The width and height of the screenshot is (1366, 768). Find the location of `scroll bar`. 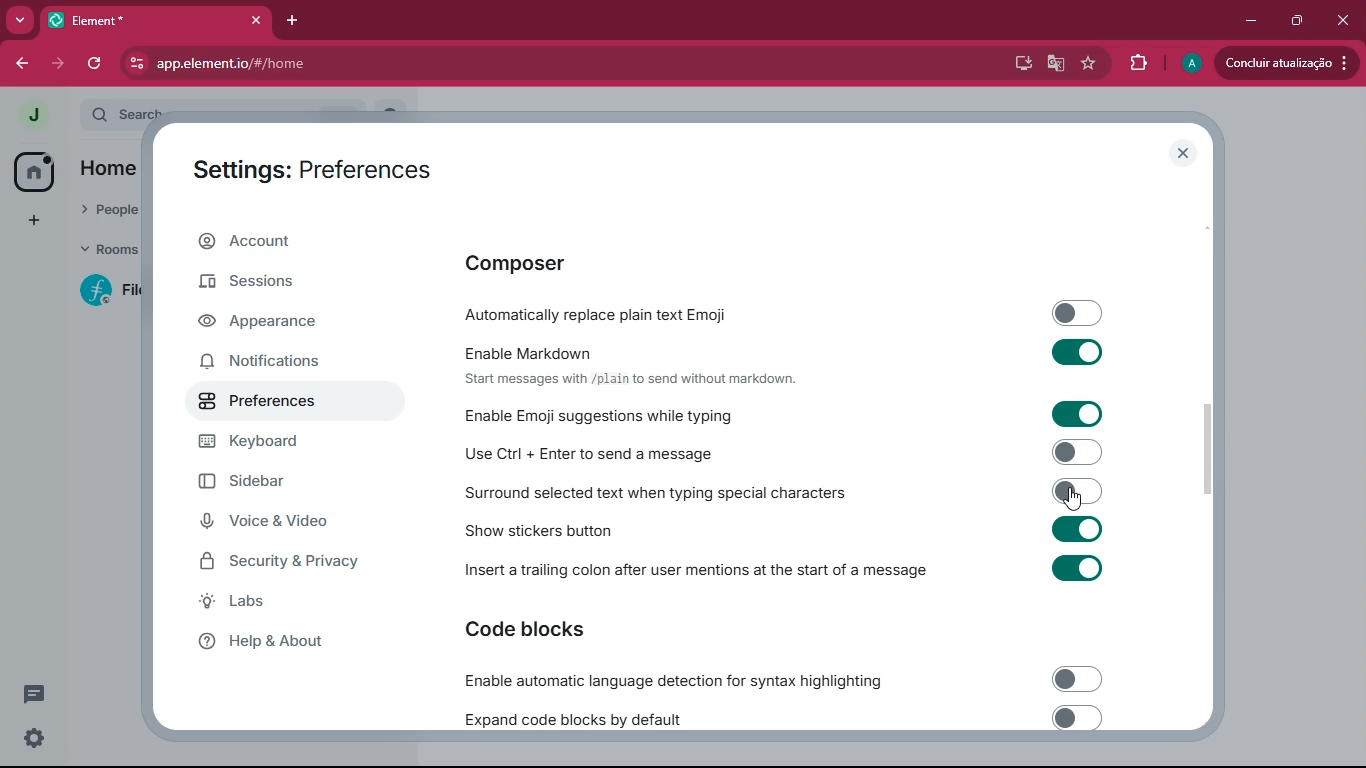

scroll bar is located at coordinates (1208, 445).